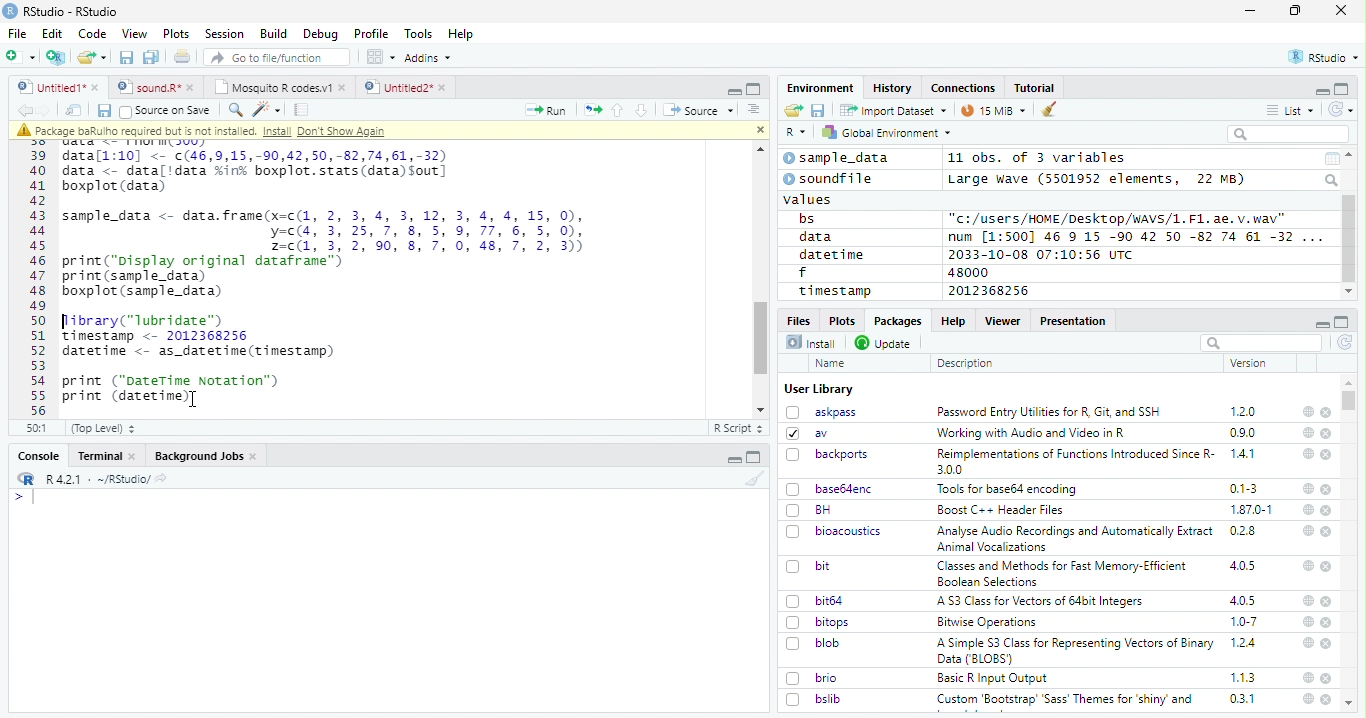 The height and width of the screenshot is (718, 1366). What do you see at coordinates (1077, 650) in the screenshot?
I see `A Simple S3 Class for Representing Vectors of Binary
Data (BLOBS)` at bounding box center [1077, 650].